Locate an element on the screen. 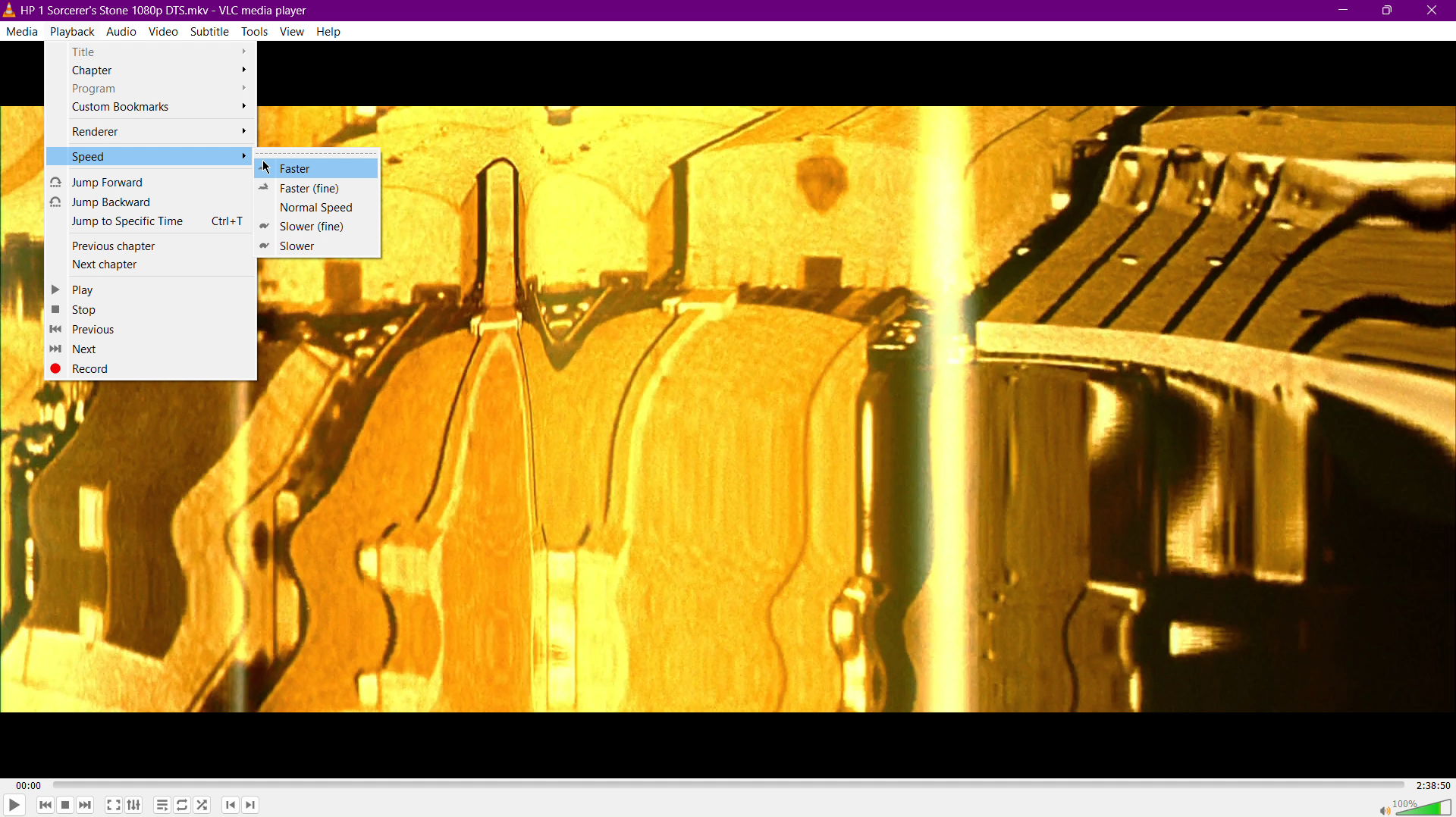 This screenshot has height=817, width=1456. Playback is located at coordinates (72, 30).